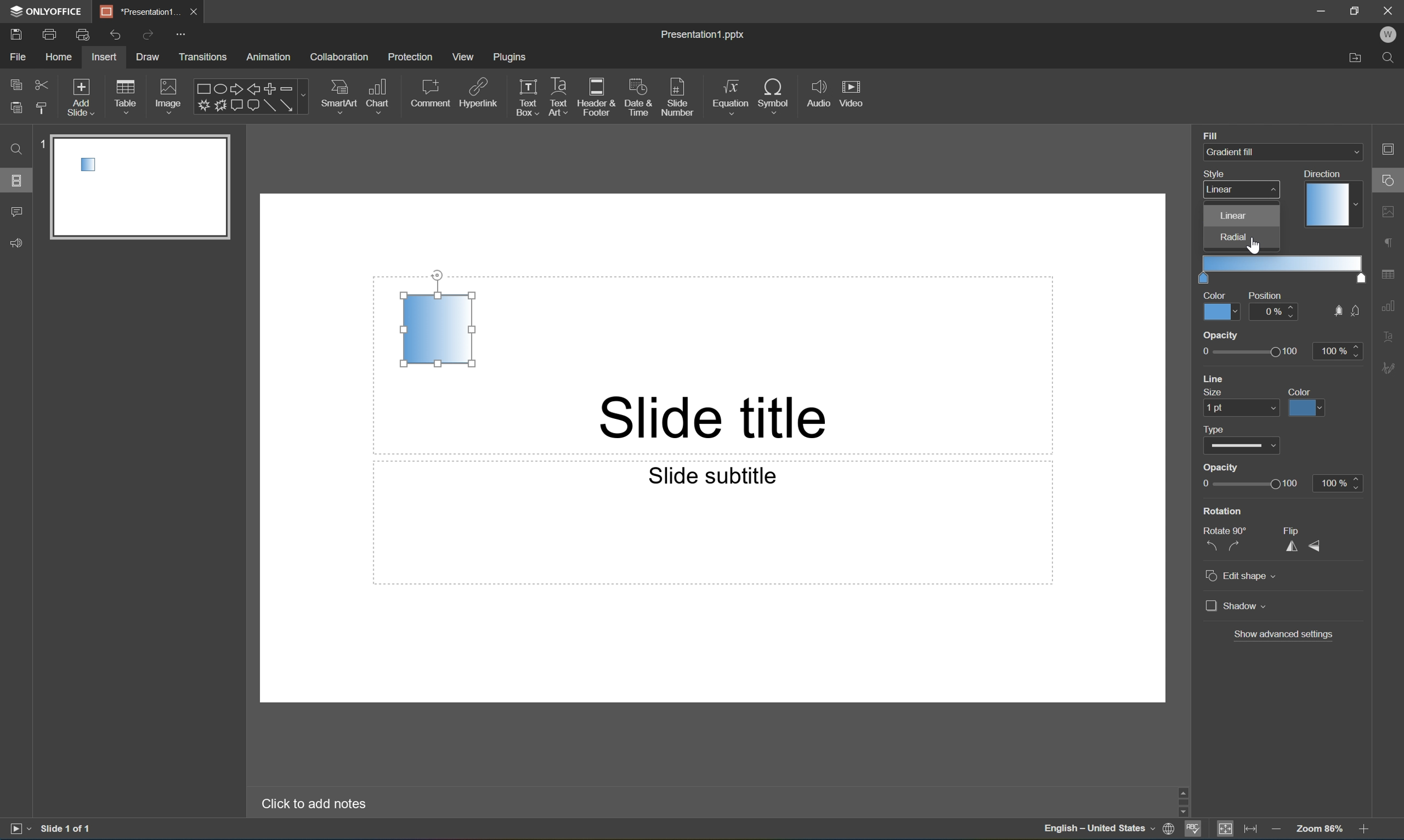  What do you see at coordinates (376, 95) in the screenshot?
I see `Chart` at bounding box center [376, 95].